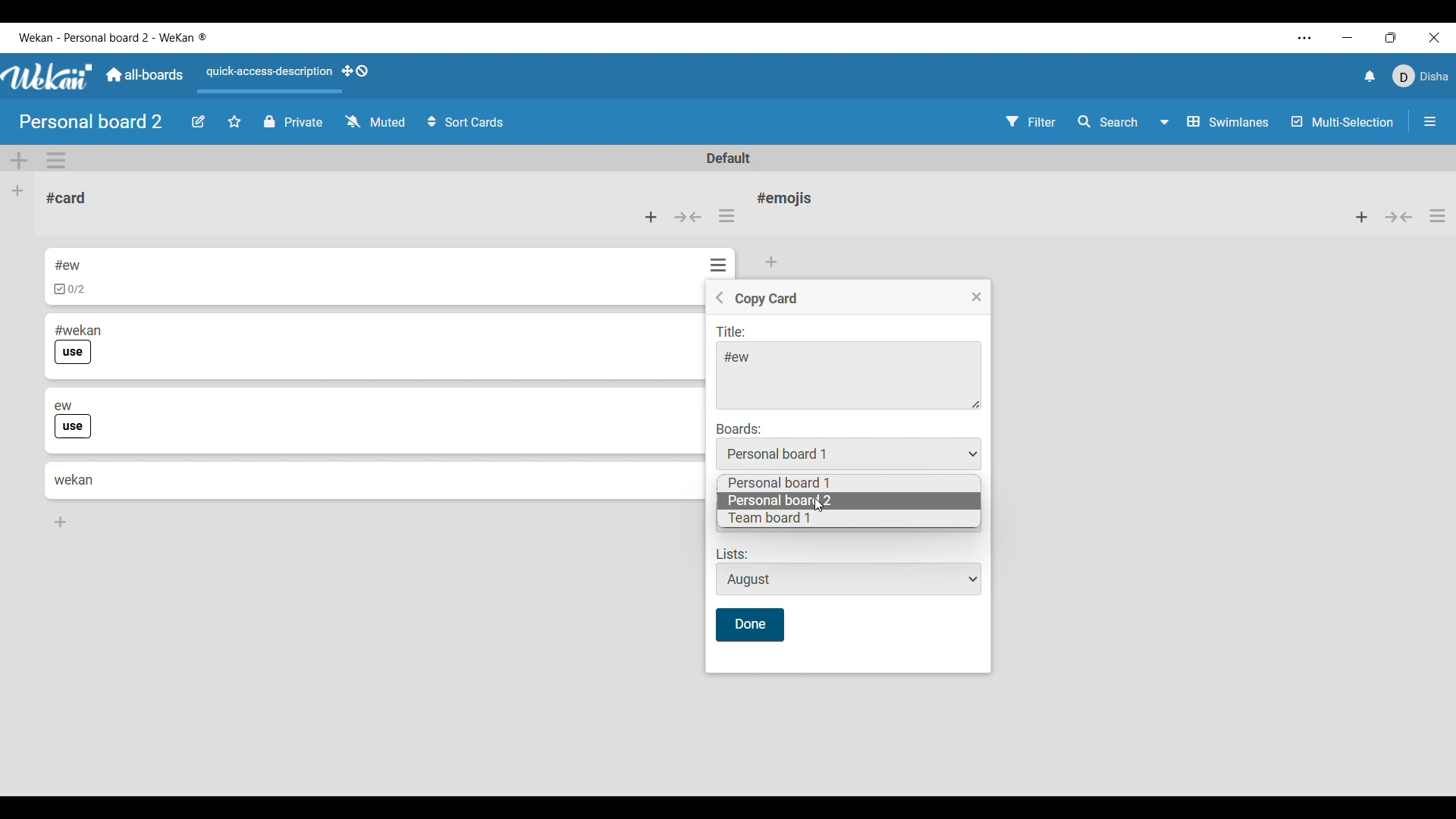 The width and height of the screenshot is (1456, 819). I want to click on Indicates Boards, so click(739, 428).